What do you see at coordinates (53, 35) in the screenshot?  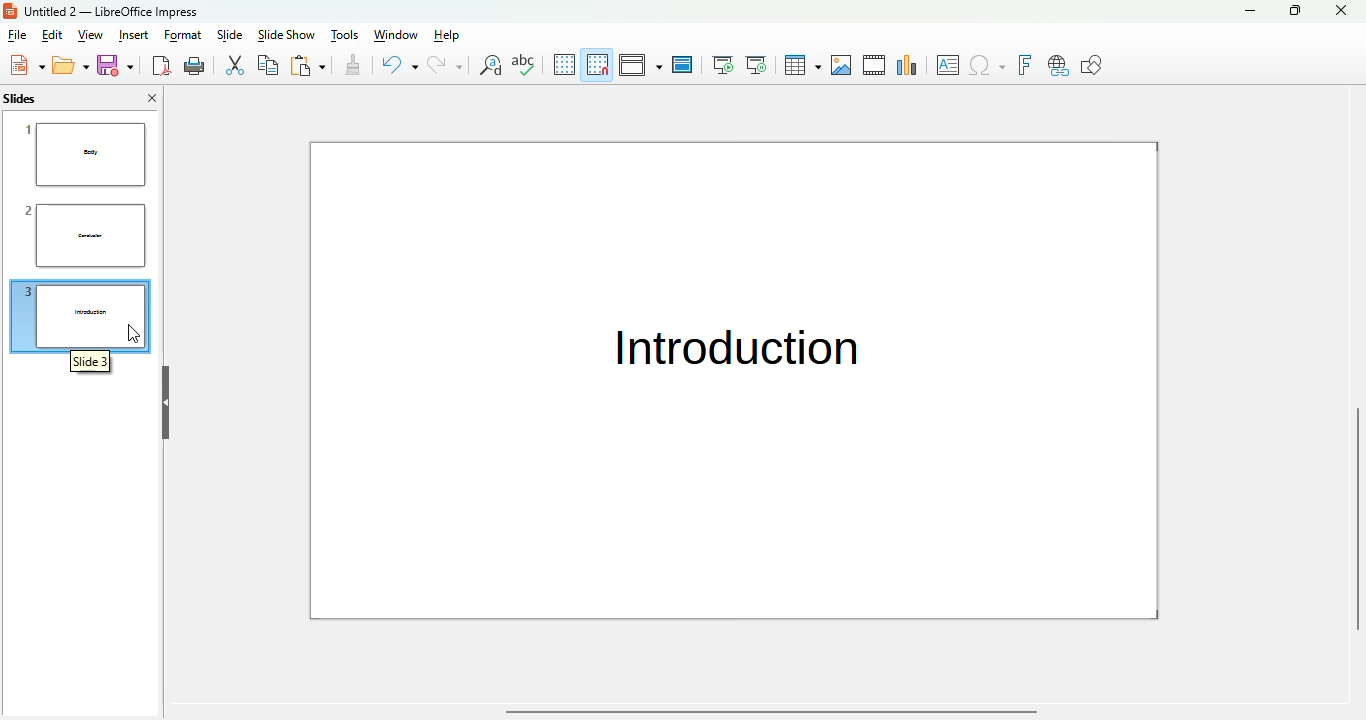 I see `edit` at bounding box center [53, 35].